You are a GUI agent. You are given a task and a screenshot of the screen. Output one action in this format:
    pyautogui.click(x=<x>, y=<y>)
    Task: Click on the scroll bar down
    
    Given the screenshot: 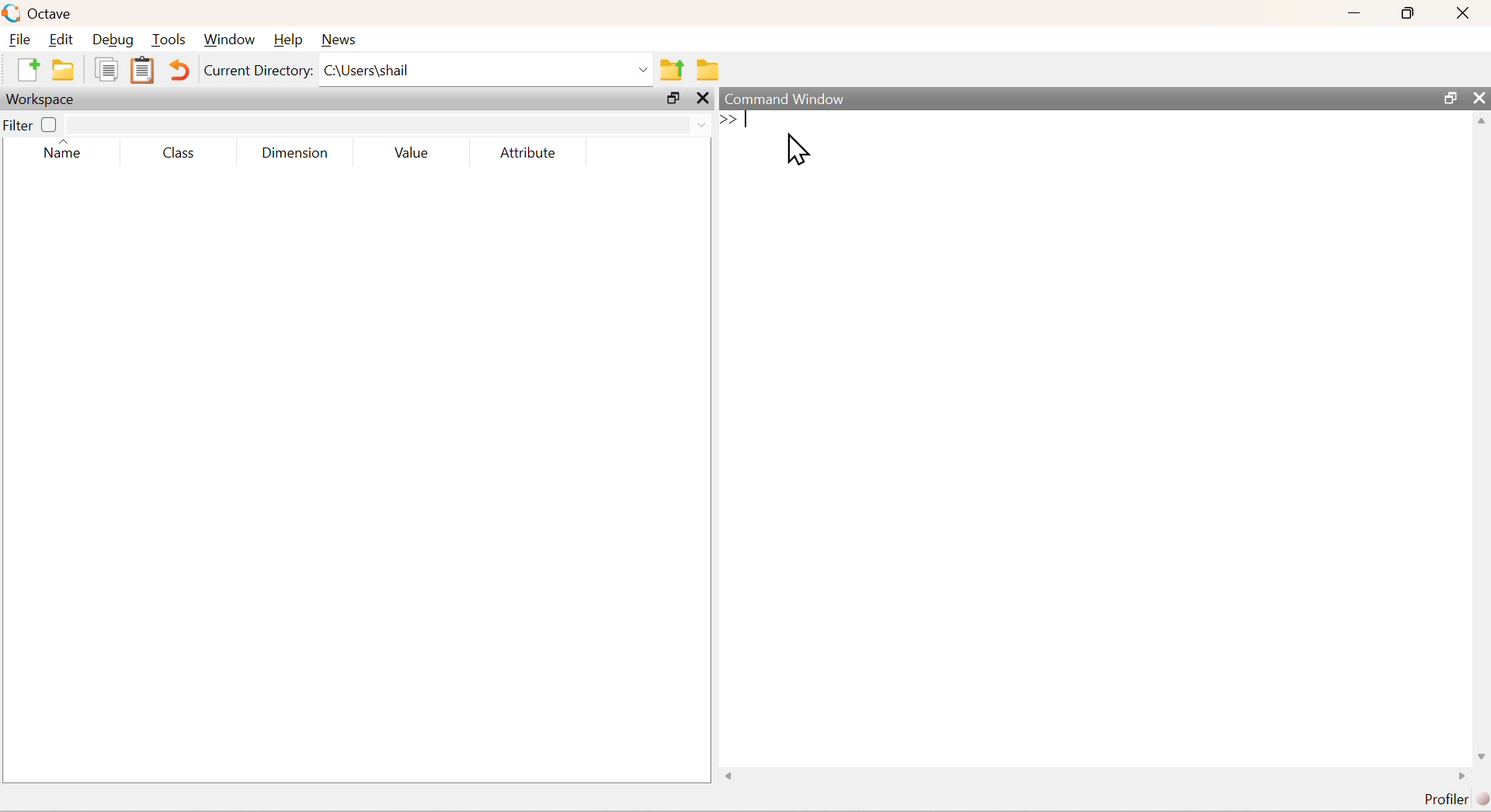 What is the action you would take?
    pyautogui.click(x=1479, y=755)
    